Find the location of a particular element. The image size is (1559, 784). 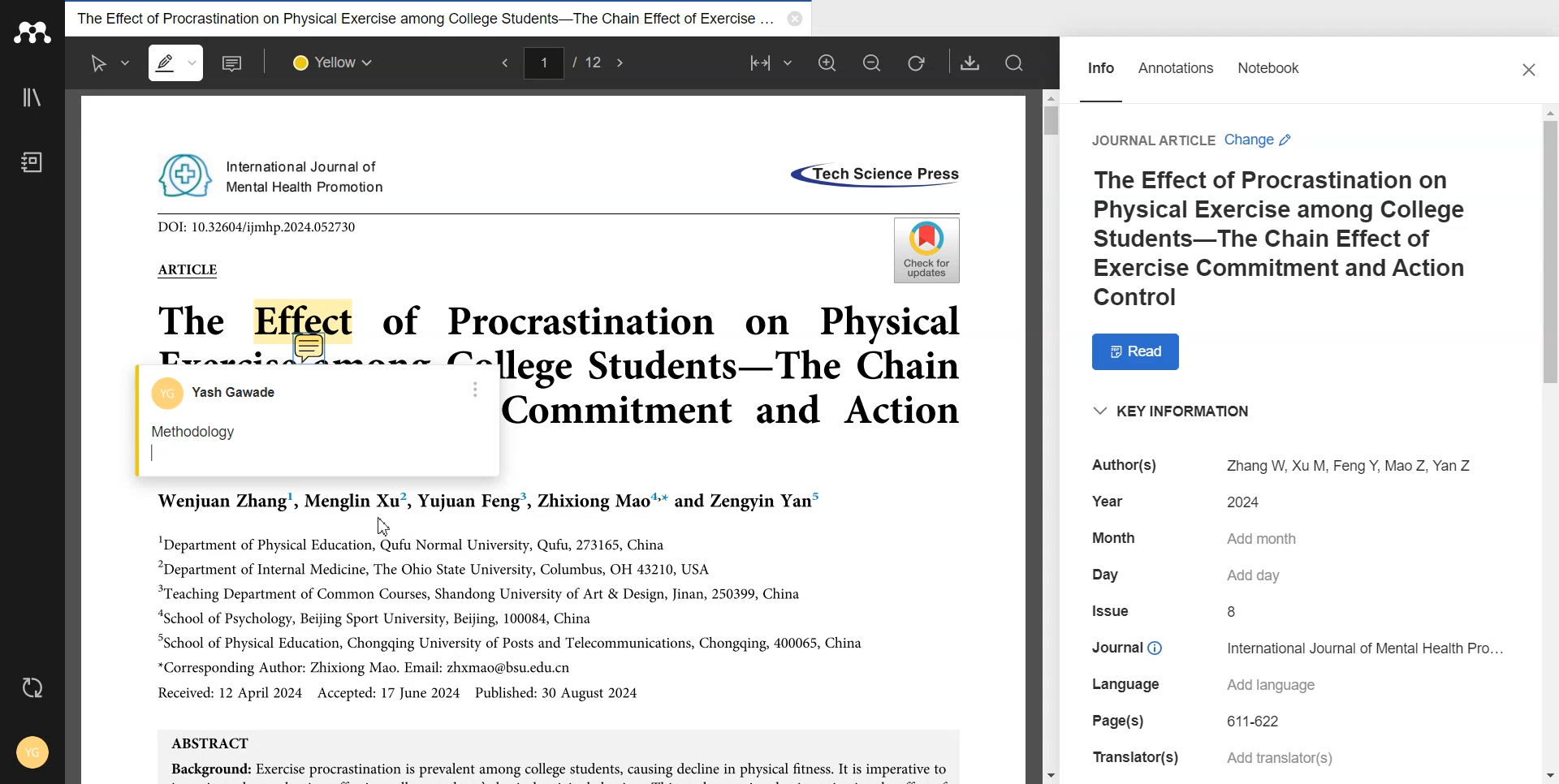

Read is located at coordinates (1145, 351).